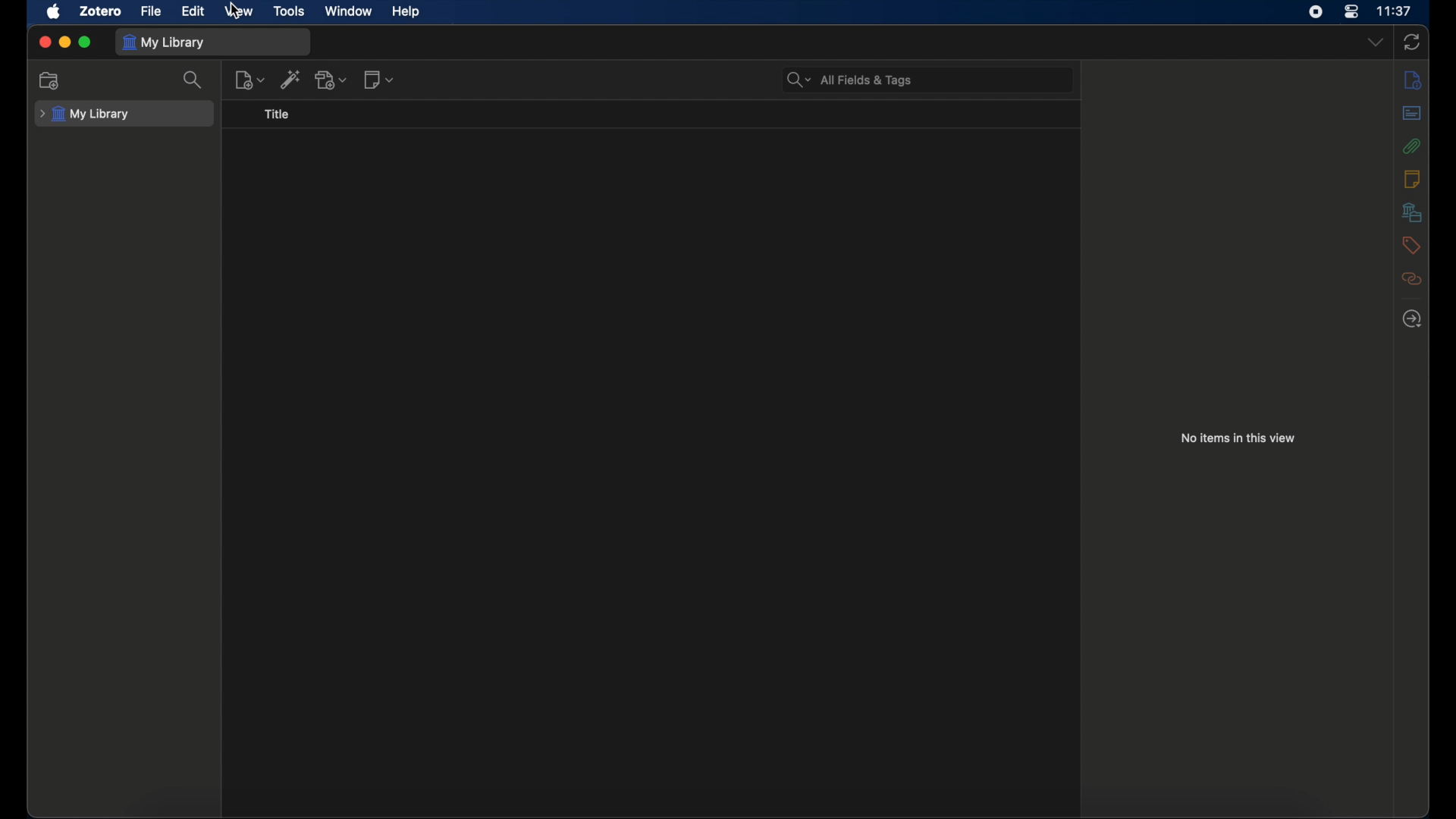 Image resolution: width=1456 pixels, height=819 pixels. Describe the element at coordinates (101, 11) in the screenshot. I see `zotero` at that location.